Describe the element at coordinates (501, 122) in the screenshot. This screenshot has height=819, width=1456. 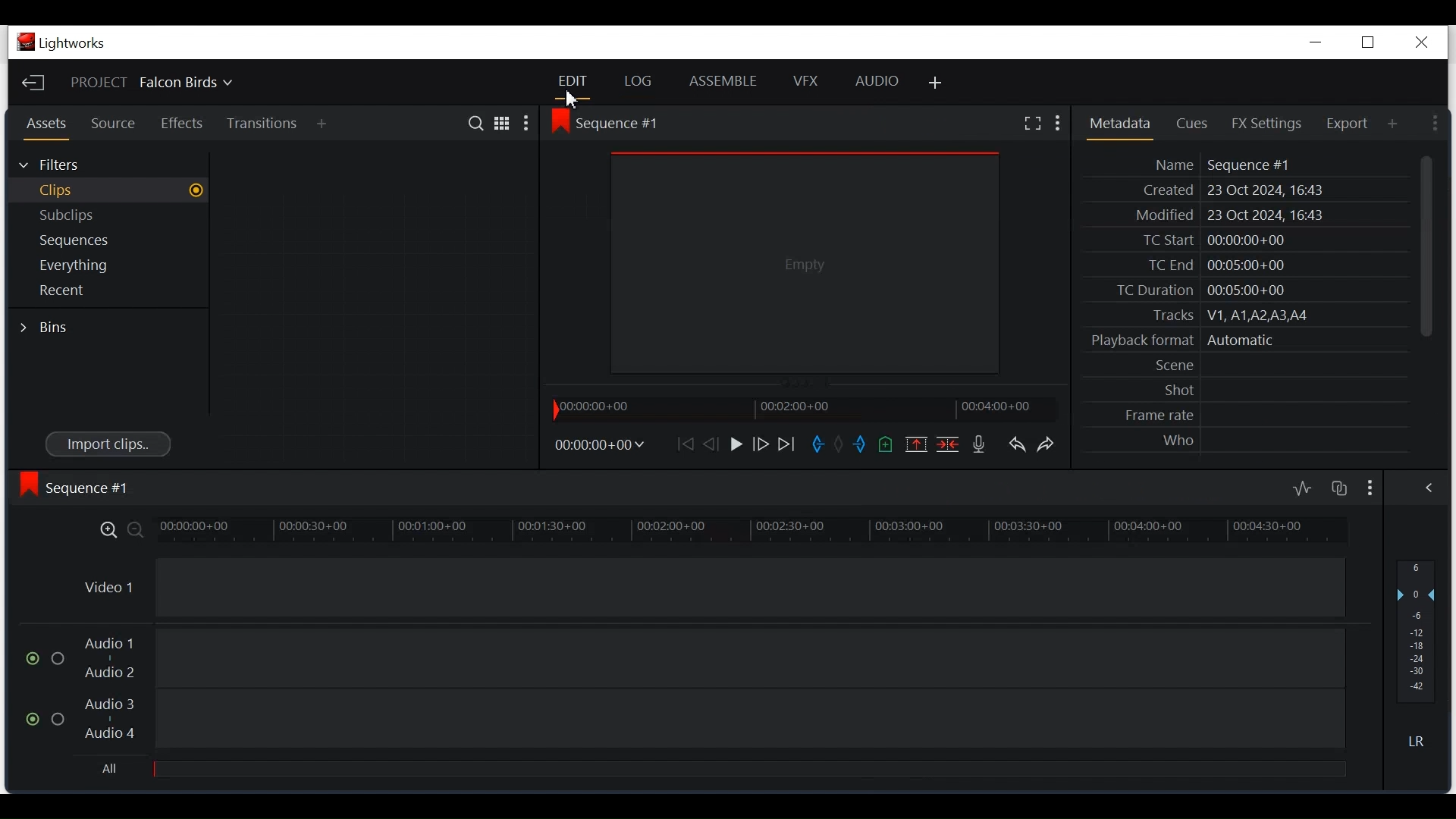
I see `Grid View` at that location.